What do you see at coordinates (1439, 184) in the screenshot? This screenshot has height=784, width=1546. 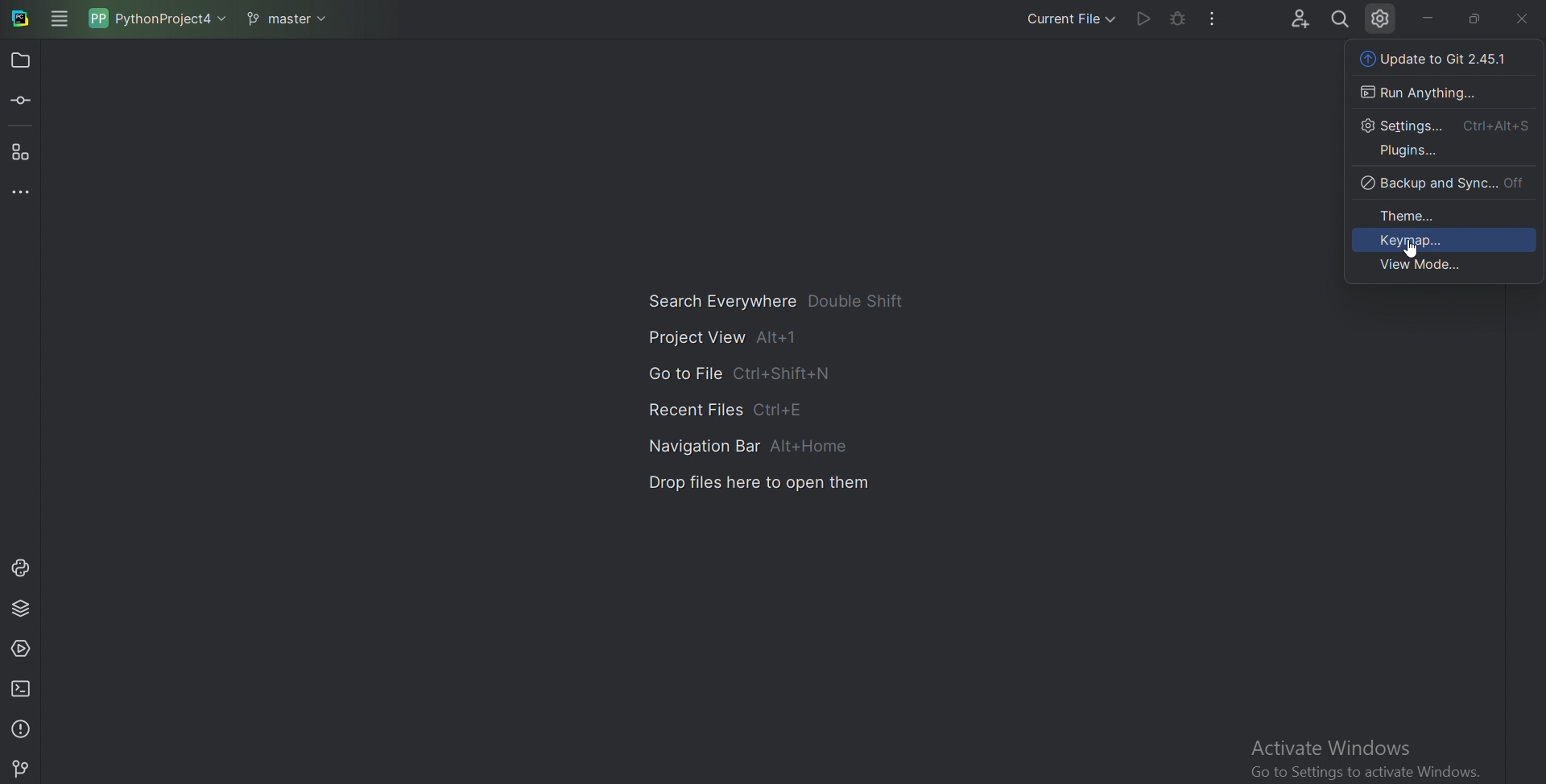 I see `Backup and sync` at bounding box center [1439, 184].